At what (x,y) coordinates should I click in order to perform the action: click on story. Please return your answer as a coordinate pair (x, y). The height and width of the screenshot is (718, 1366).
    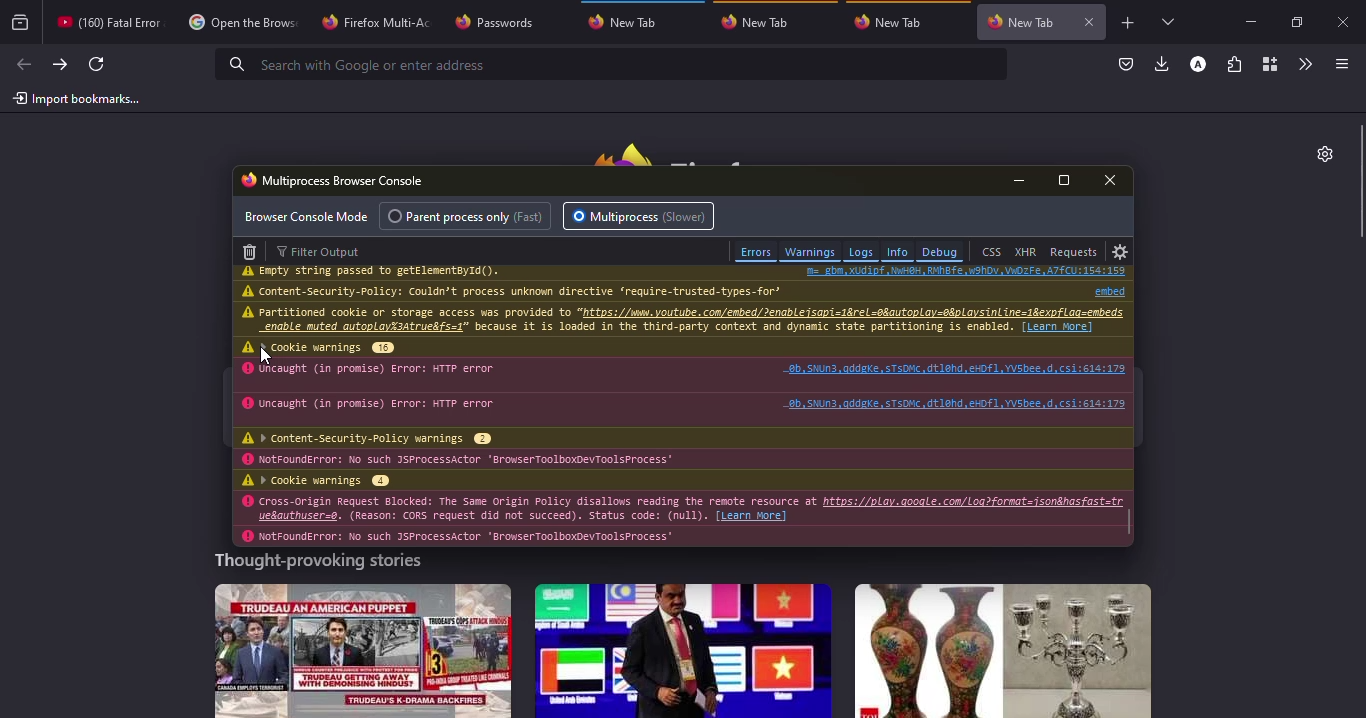
    Looking at the image, I should click on (683, 650).